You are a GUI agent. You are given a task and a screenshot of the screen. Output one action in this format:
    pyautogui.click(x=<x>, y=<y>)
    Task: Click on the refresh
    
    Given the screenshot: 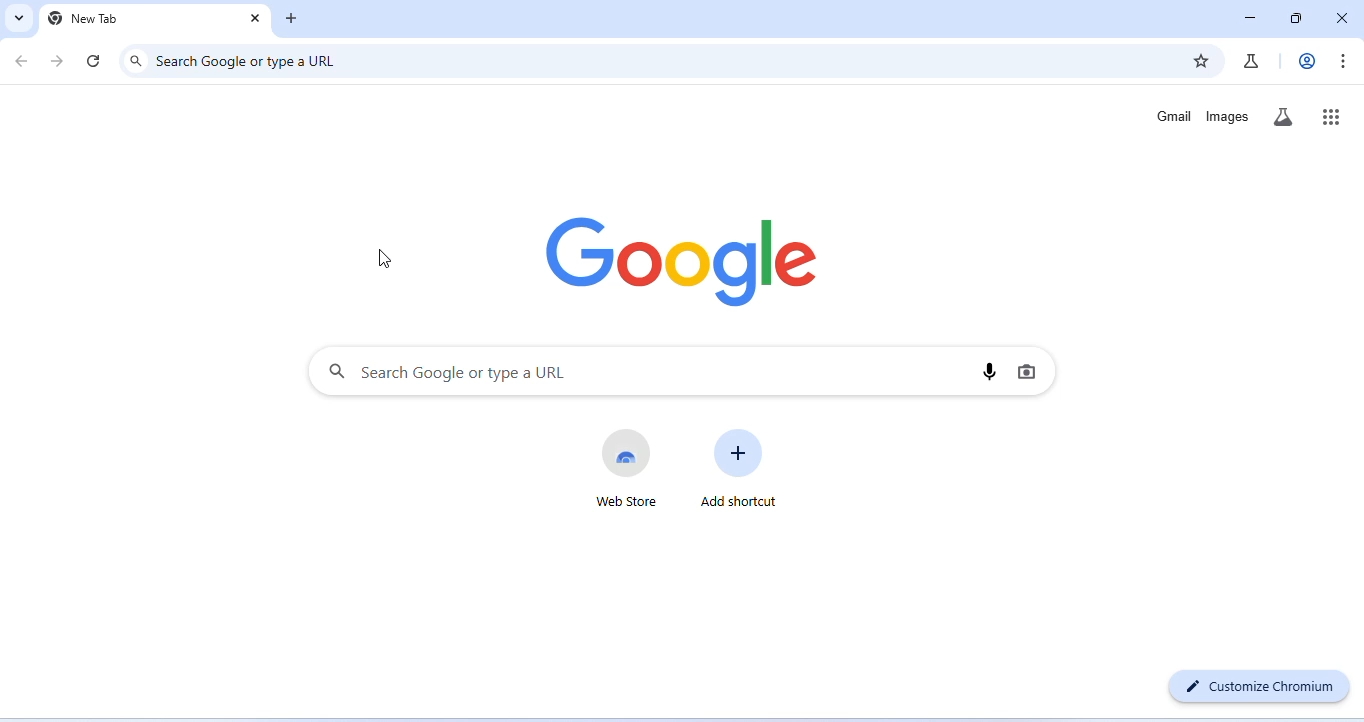 What is the action you would take?
    pyautogui.click(x=95, y=60)
    